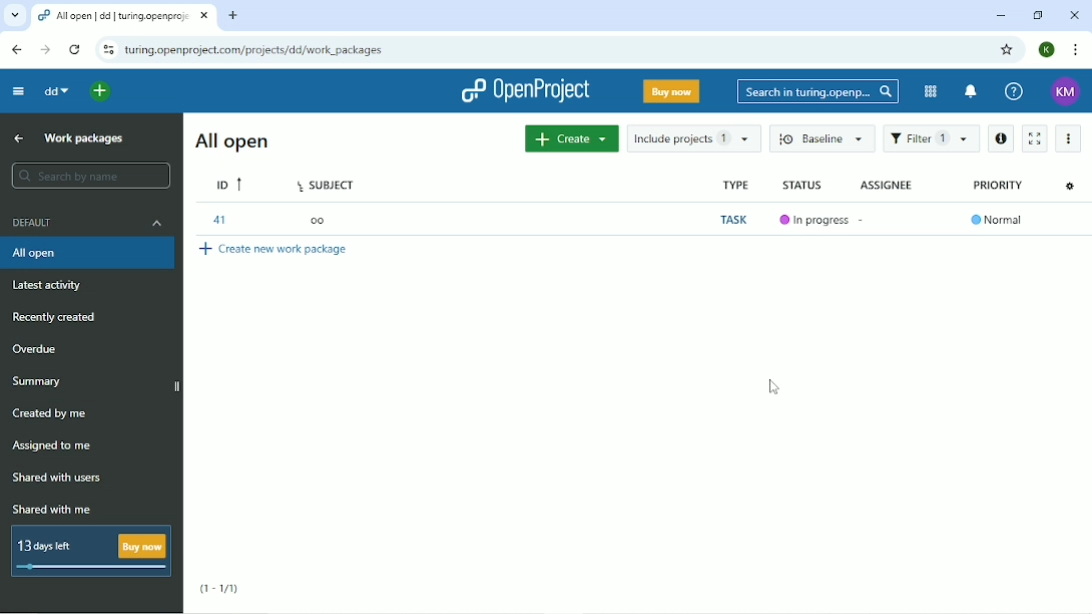  Describe the element at coordinates (801, 185) in the screenshot. I see `Status` at that location.